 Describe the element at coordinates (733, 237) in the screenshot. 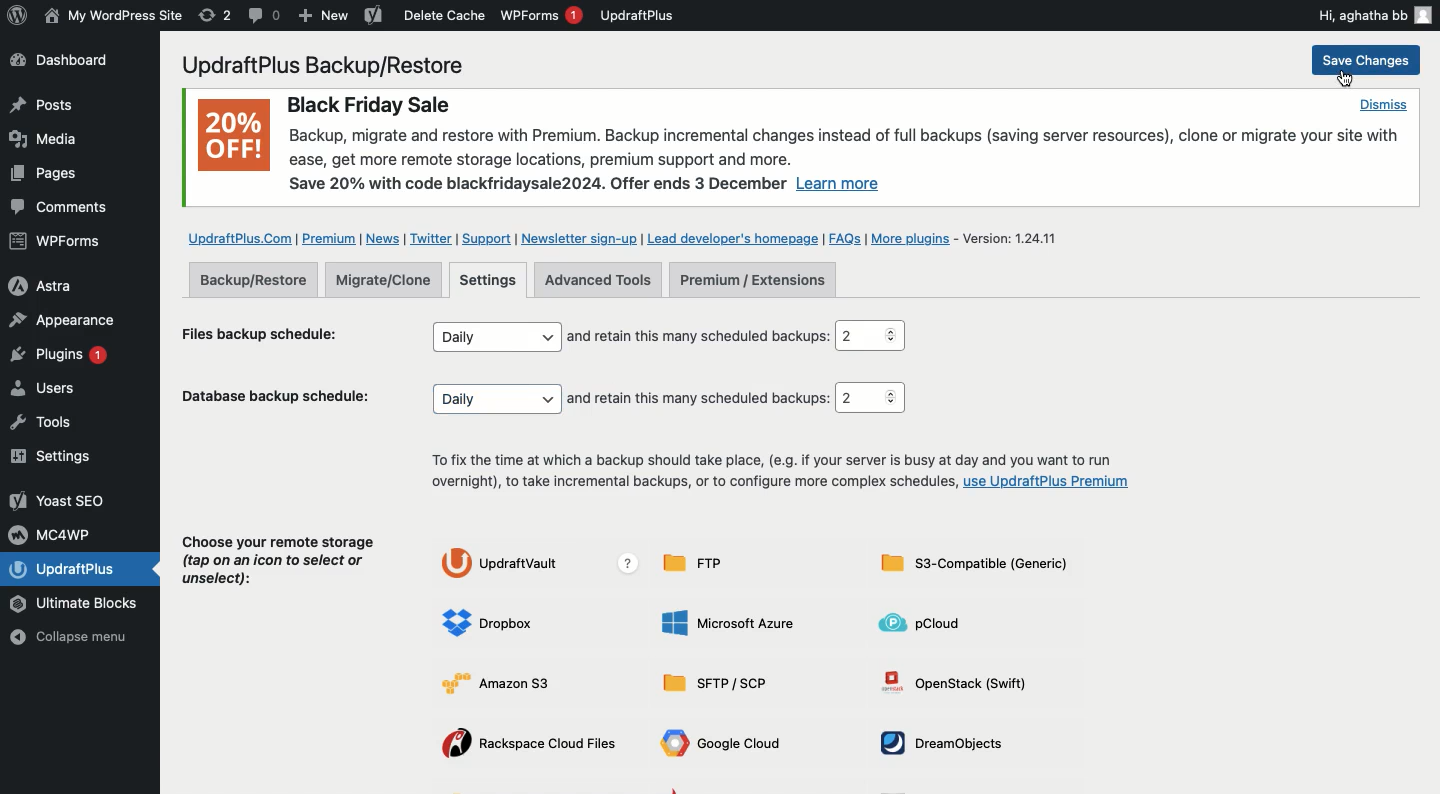

I see `Lead developer's homepage` at that location.